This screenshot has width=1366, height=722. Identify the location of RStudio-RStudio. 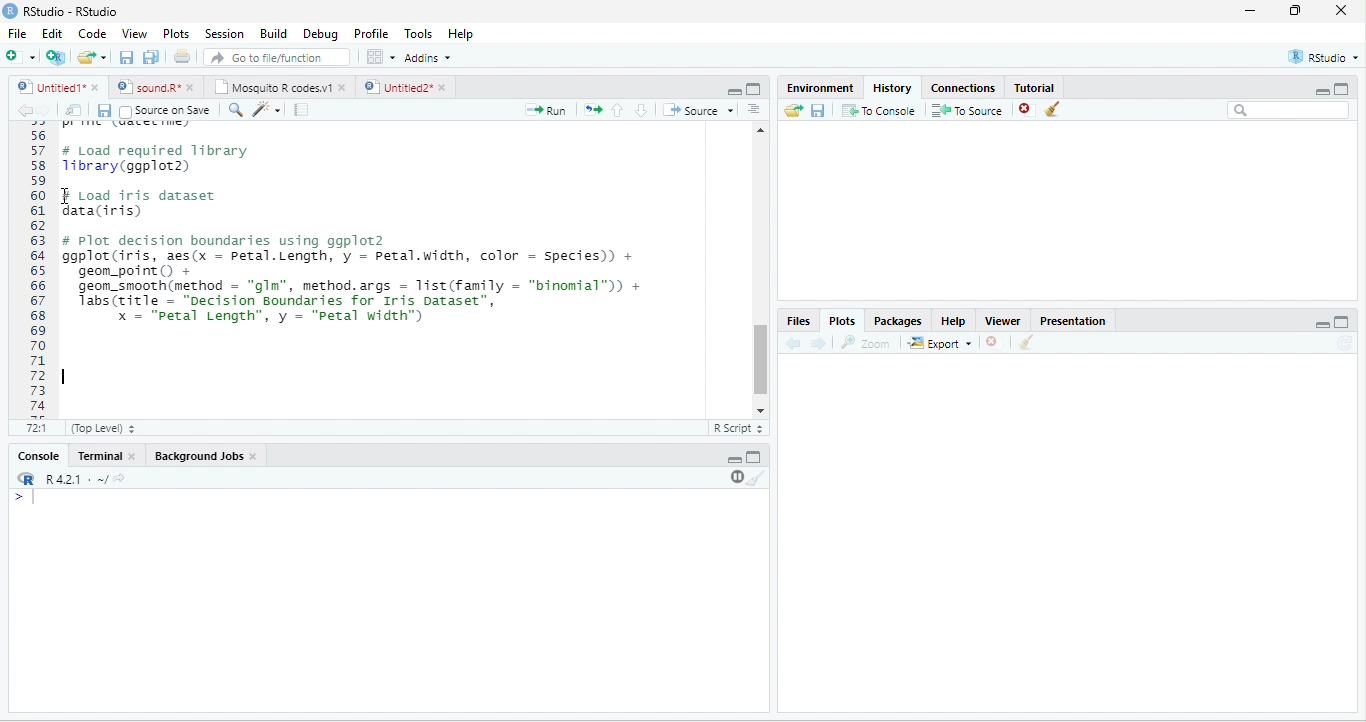
(72, 11).